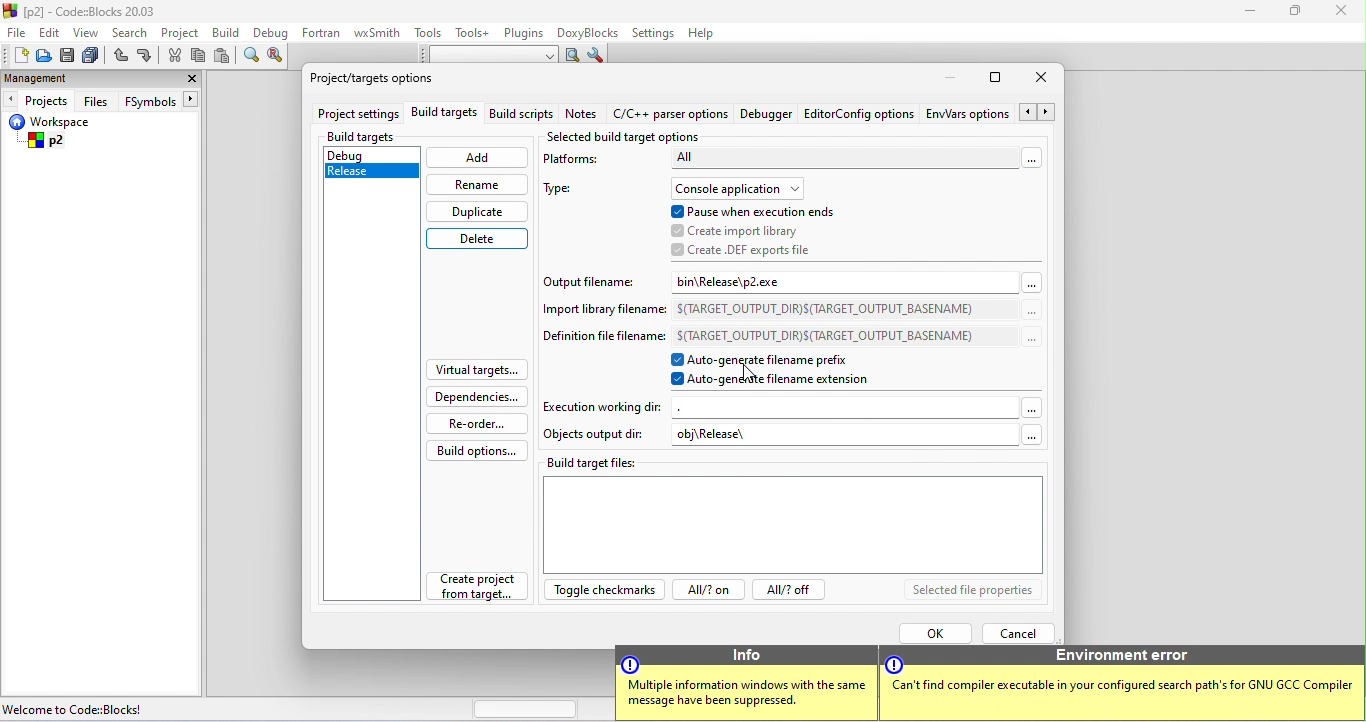  What do you see at coordinates (489, 56) in the screenshot?
I see `text to search` at bounding box center [489, 56].